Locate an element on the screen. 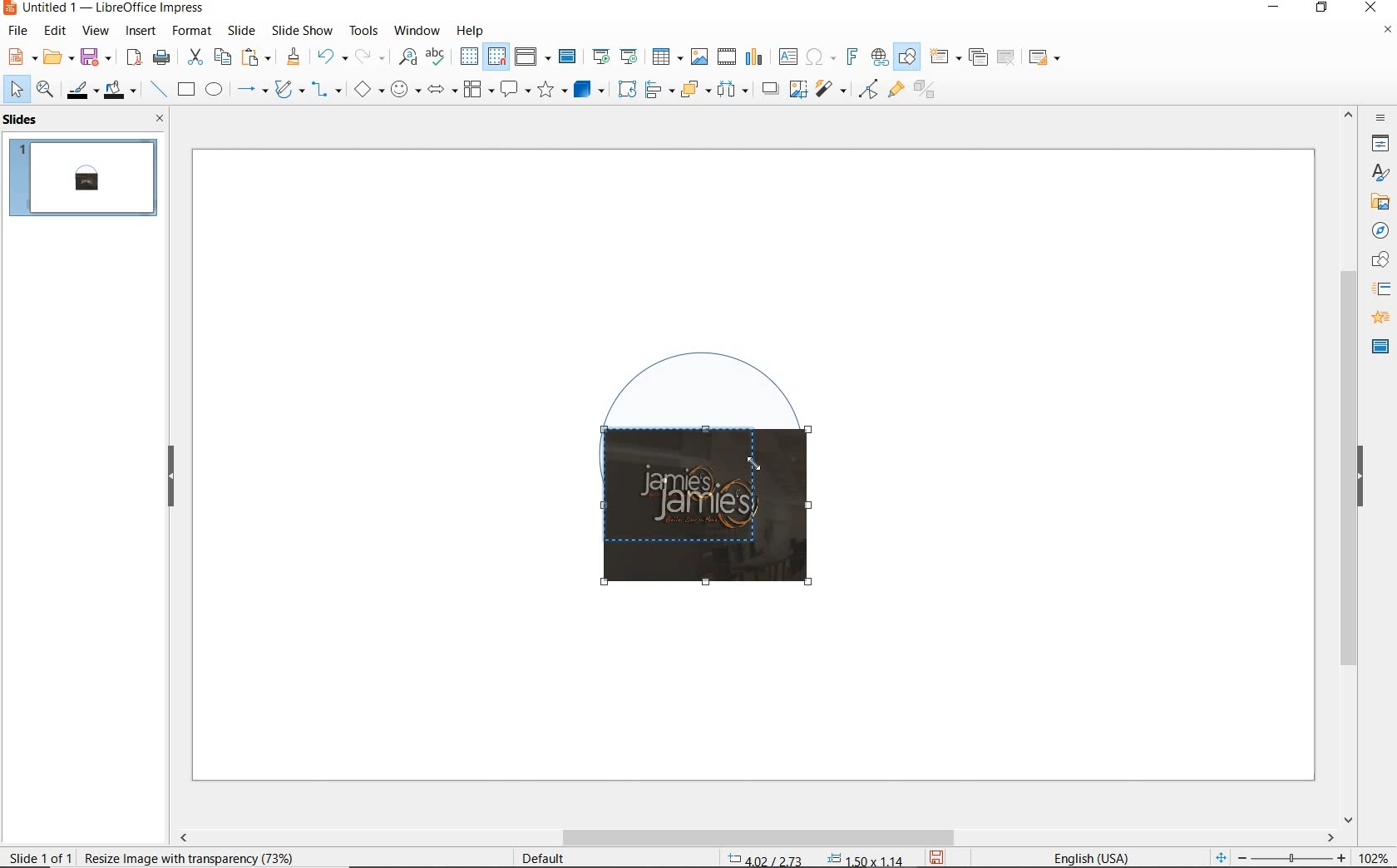 The image size is (1397, 868). clone formatting is located at coordinates (294, 57).